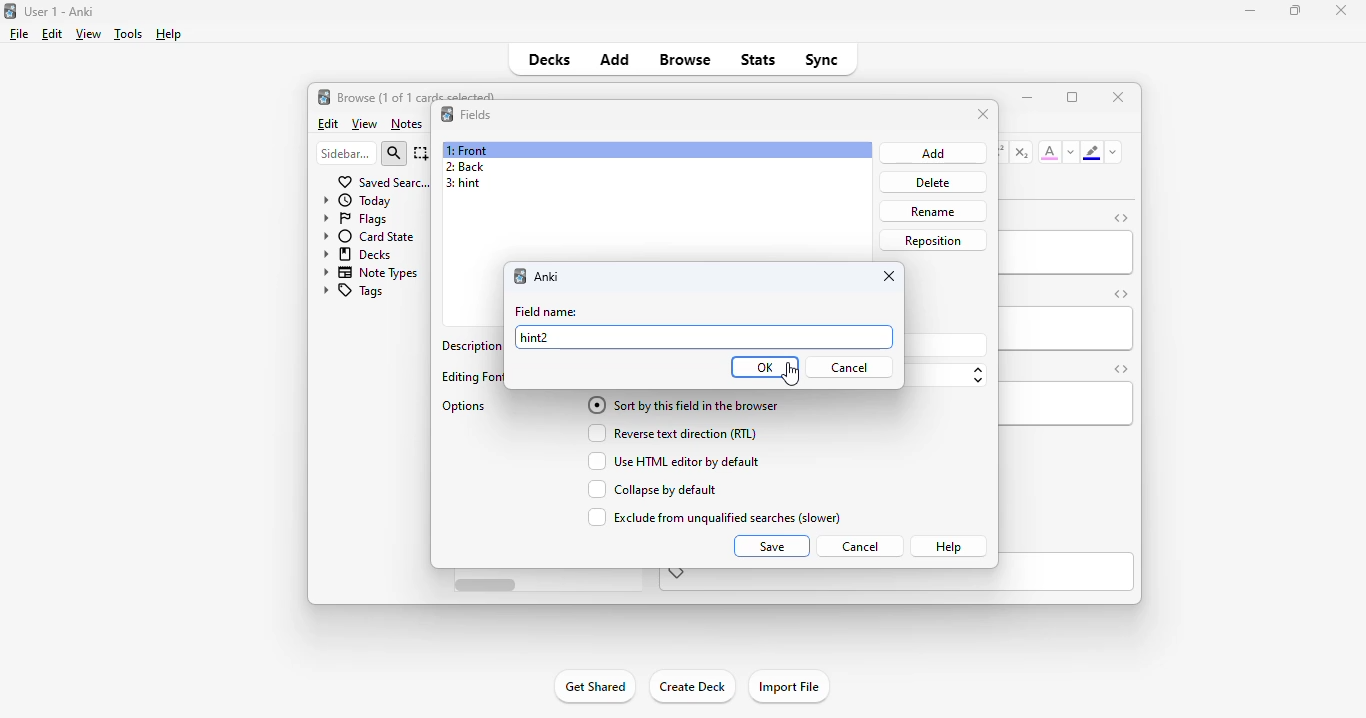 This screenshot has width=1366, height=718. Describe the element at coordinates (691, 685) in the screenshot. I see `create deck` at that location.